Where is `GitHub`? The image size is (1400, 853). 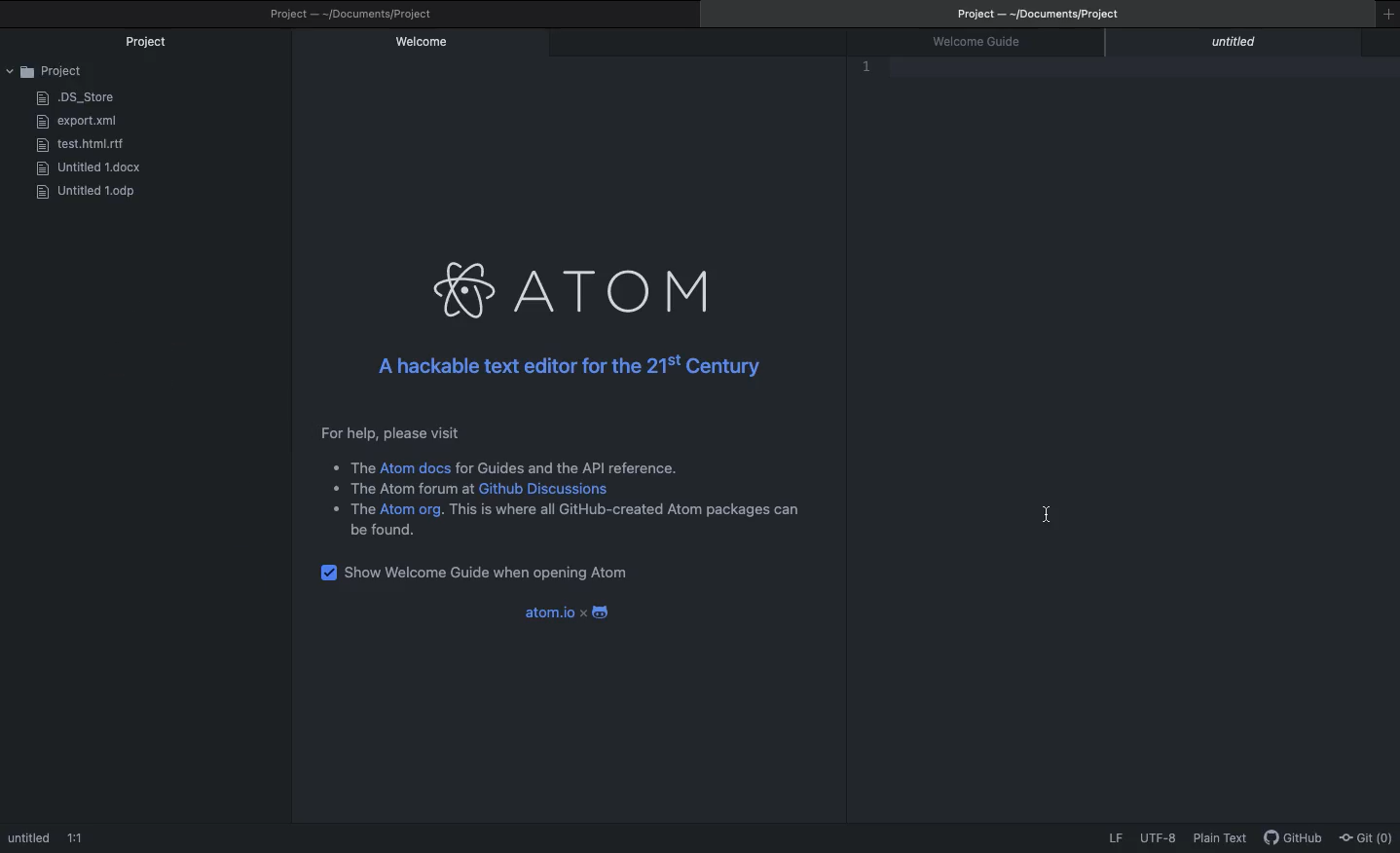
GitHub is located at coordinates (1294, 840).